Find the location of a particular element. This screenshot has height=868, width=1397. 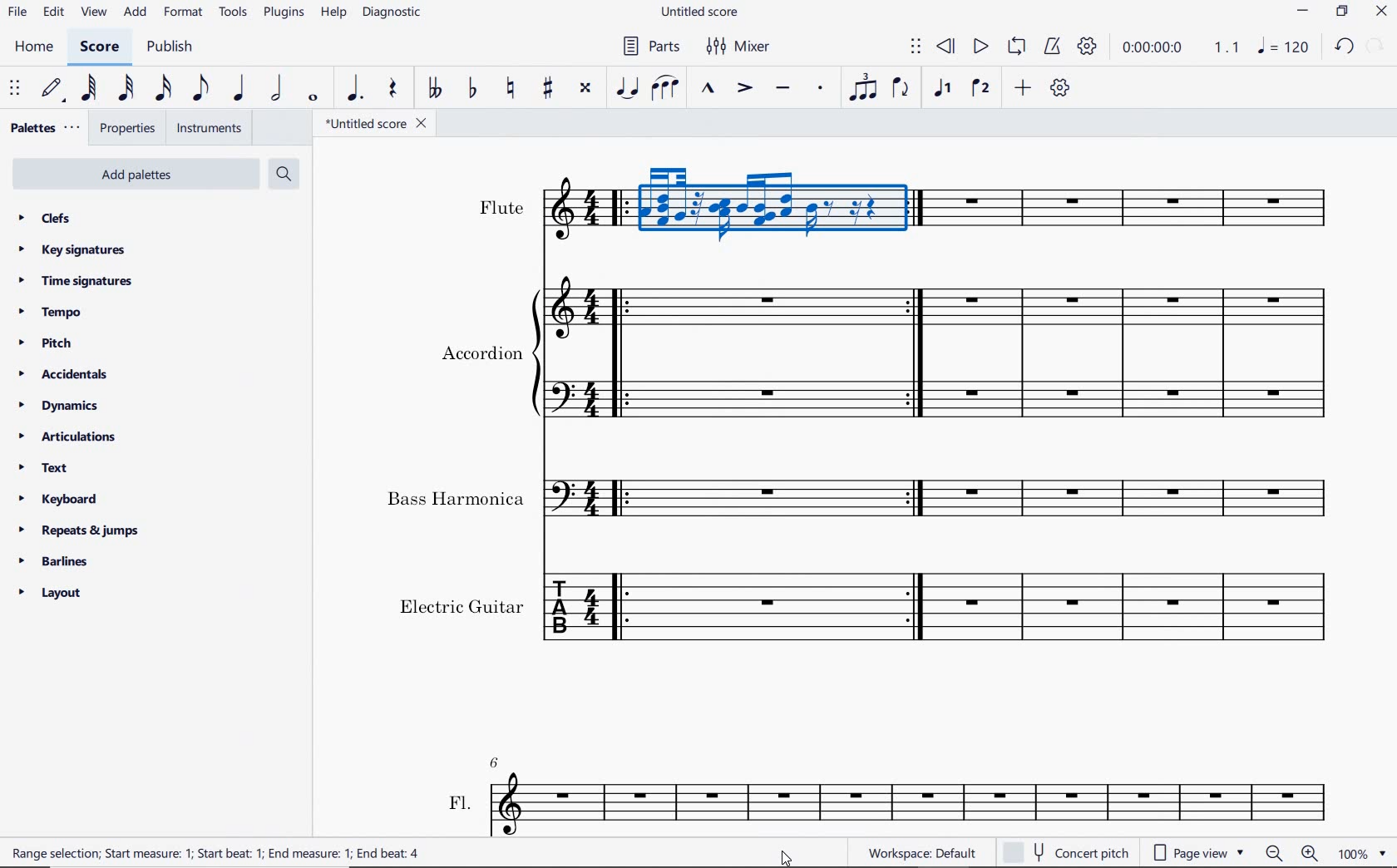

FL is located at coordinates (886, 794).